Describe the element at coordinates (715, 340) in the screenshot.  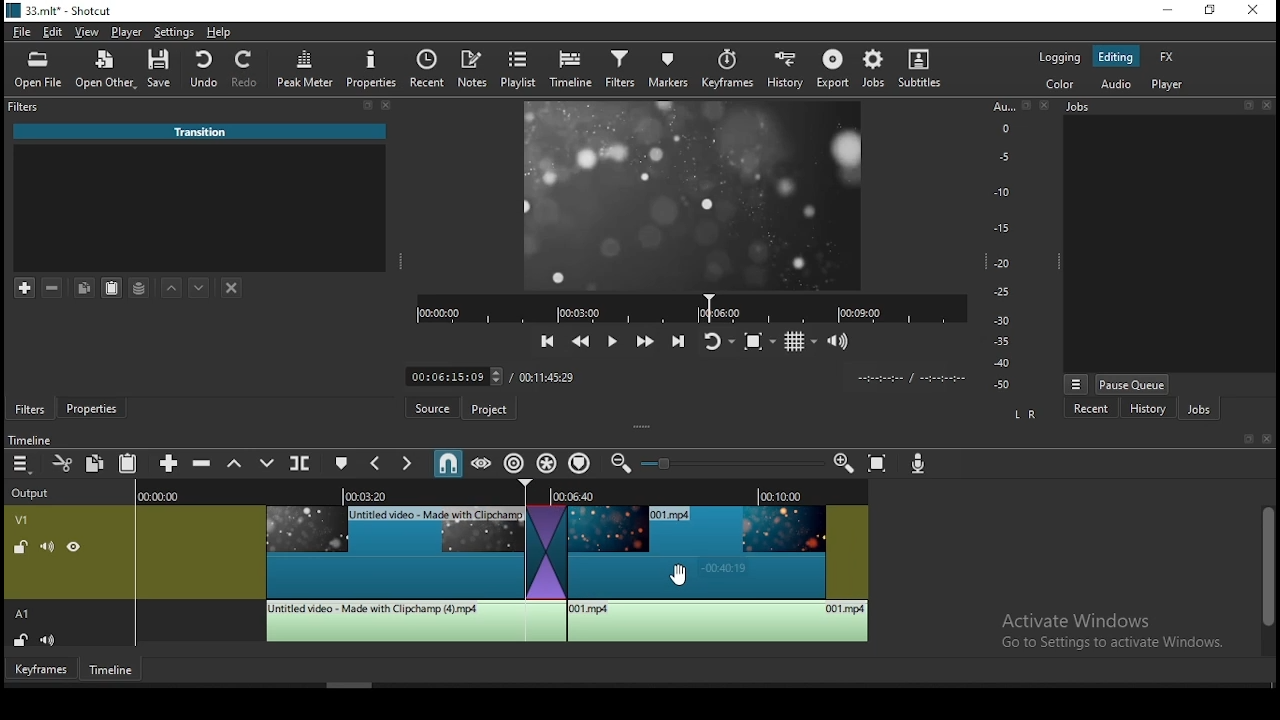
I see `toggle player looping` at that location.